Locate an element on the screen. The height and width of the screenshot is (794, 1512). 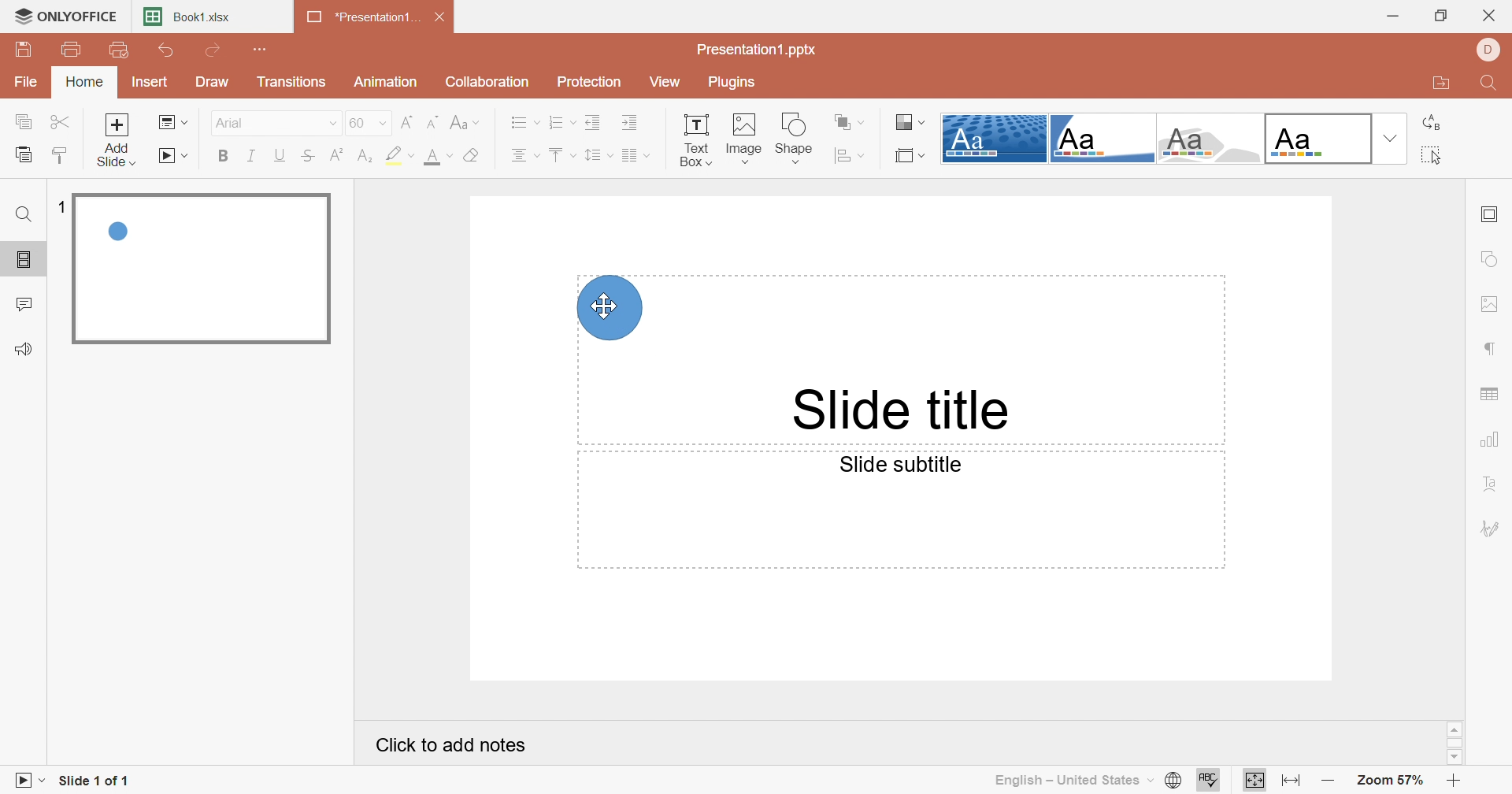
Feedback & Support is located at coordinates (22, 350).